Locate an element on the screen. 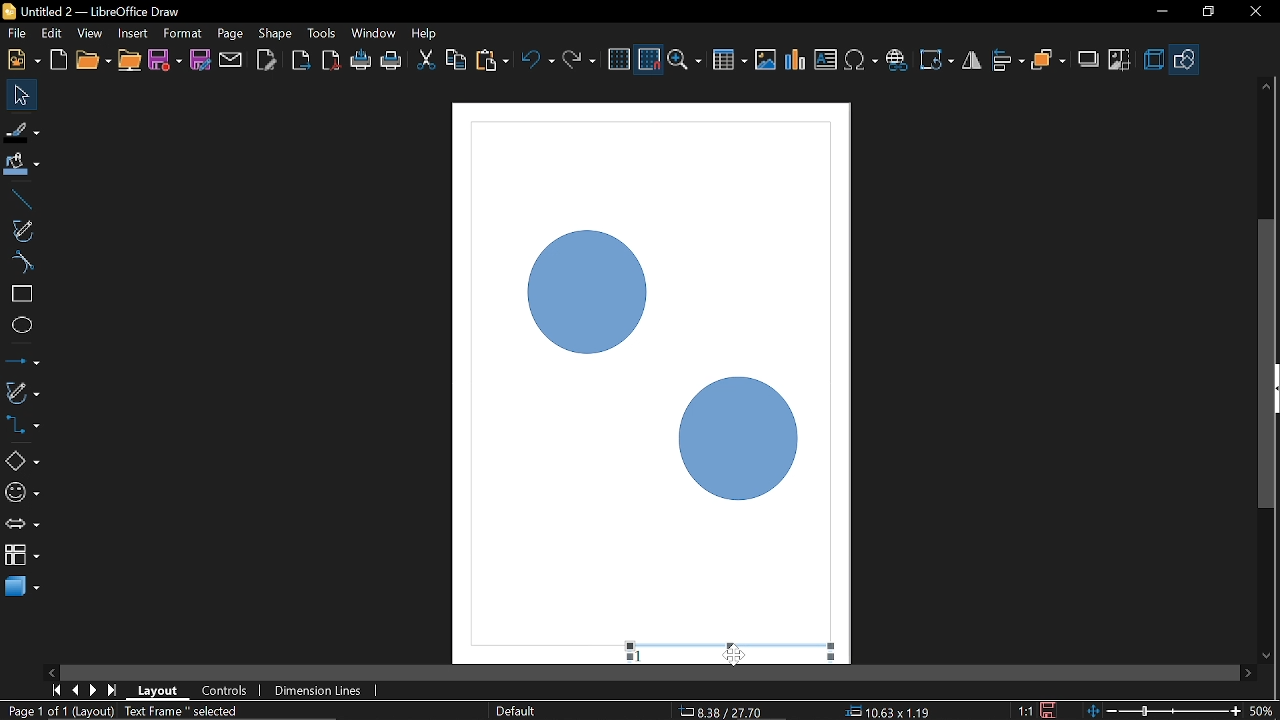  Fill line is located at coordinates (22, 132).